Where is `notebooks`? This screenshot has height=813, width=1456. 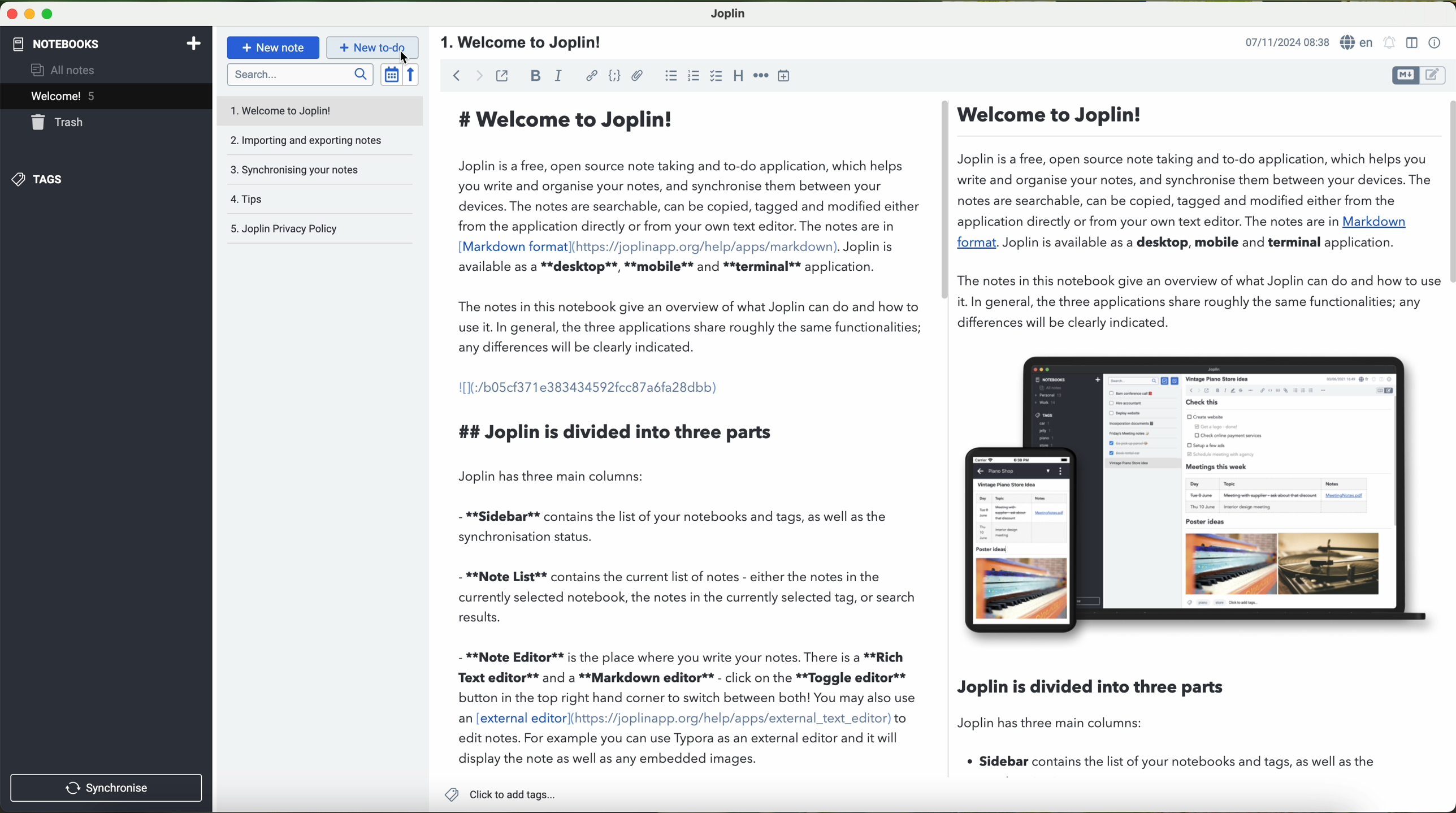
notebooks is located at coordinates (55, 42).